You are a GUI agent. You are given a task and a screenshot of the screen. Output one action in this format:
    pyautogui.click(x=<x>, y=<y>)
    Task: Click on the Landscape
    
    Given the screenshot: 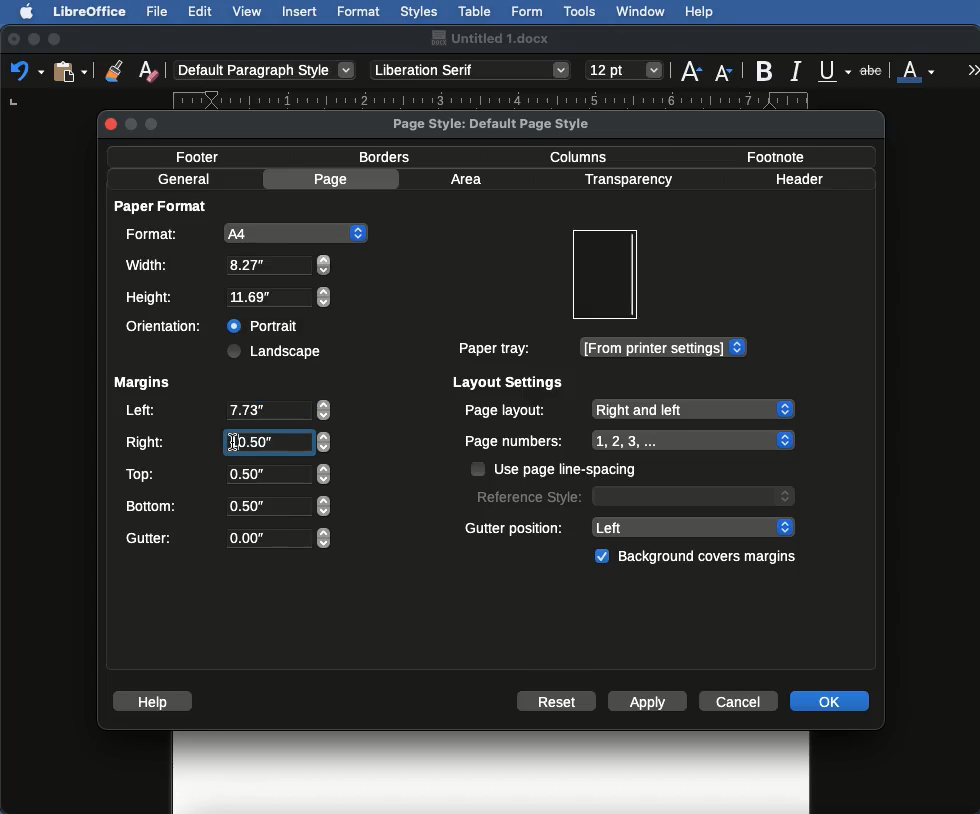 What is the action you would take?
    pyautogui.click(x=277, y=351)
    